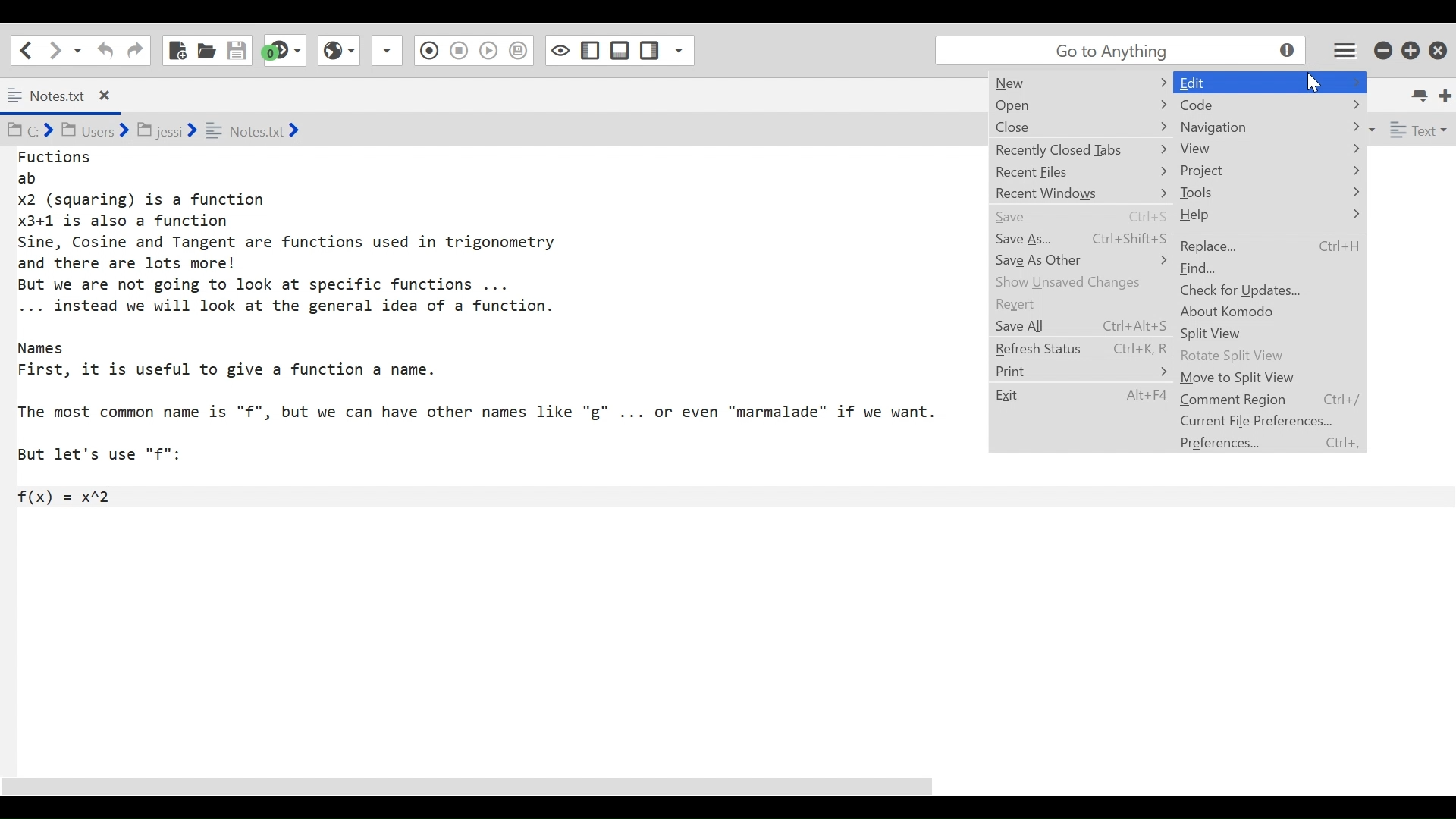 This screenshot has width=1456, height=819. I want to click on recently closed tabs, so click(1065, 151).